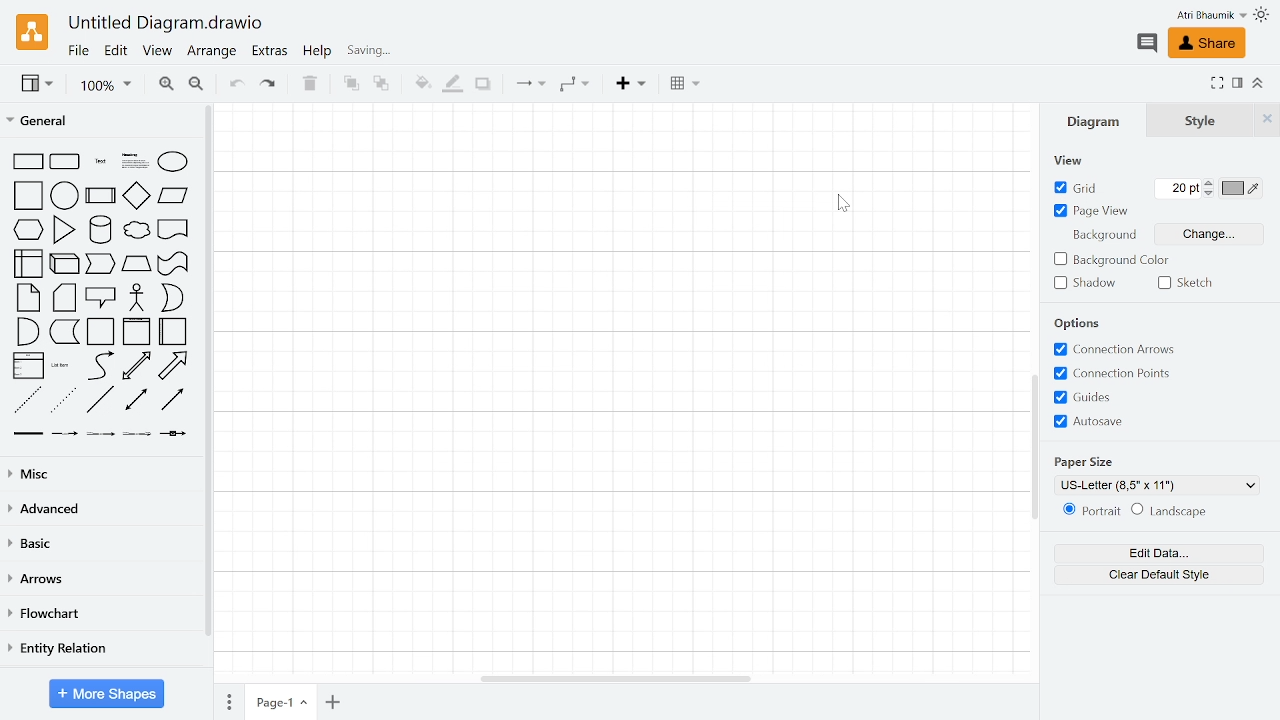  Describe the element at coordinates (108, 693) in the screenshot. I see `More Shapes` at that location.